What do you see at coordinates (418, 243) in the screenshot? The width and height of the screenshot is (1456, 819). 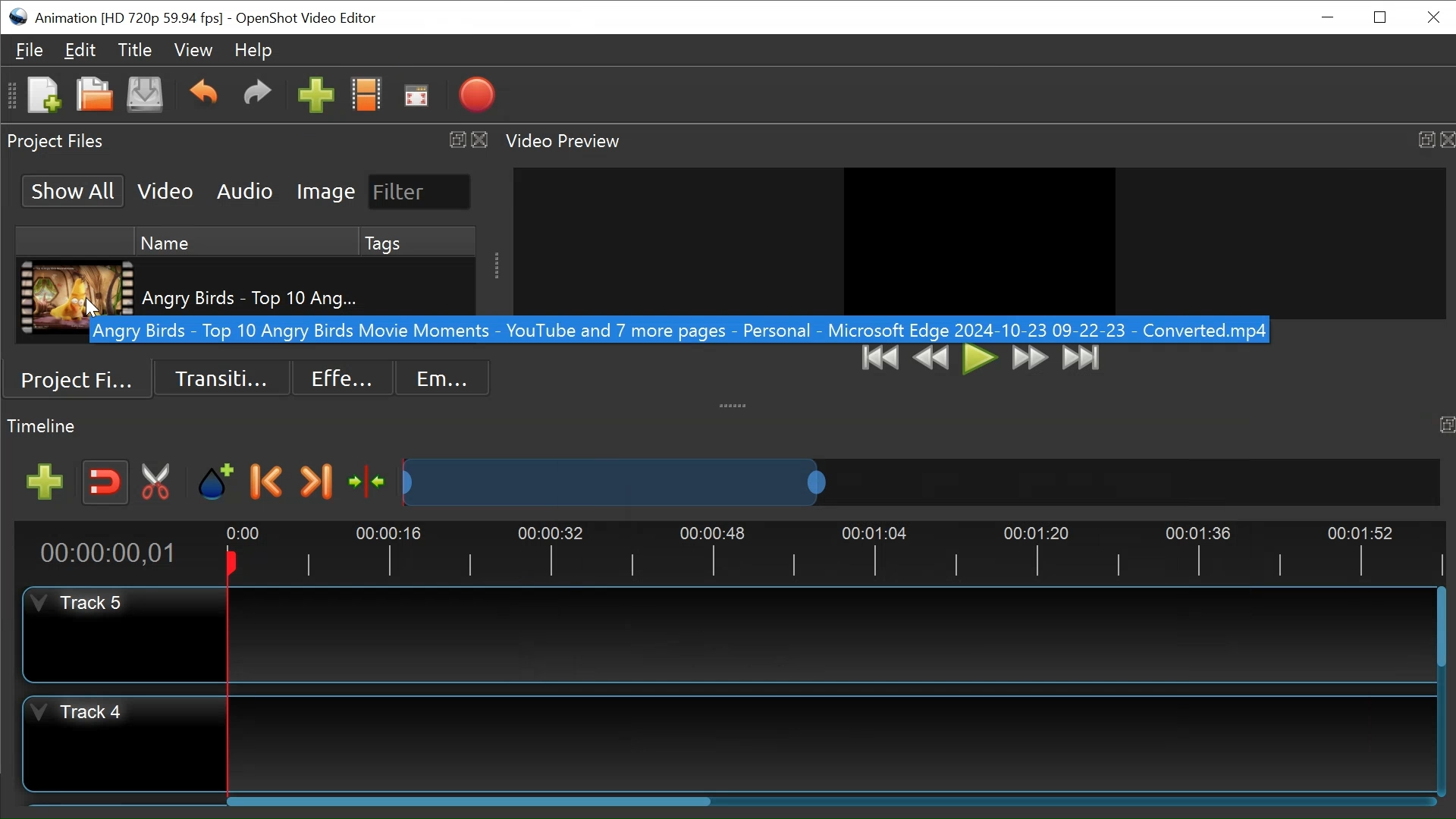 I see `Tags` at bounding box center [418, 243].